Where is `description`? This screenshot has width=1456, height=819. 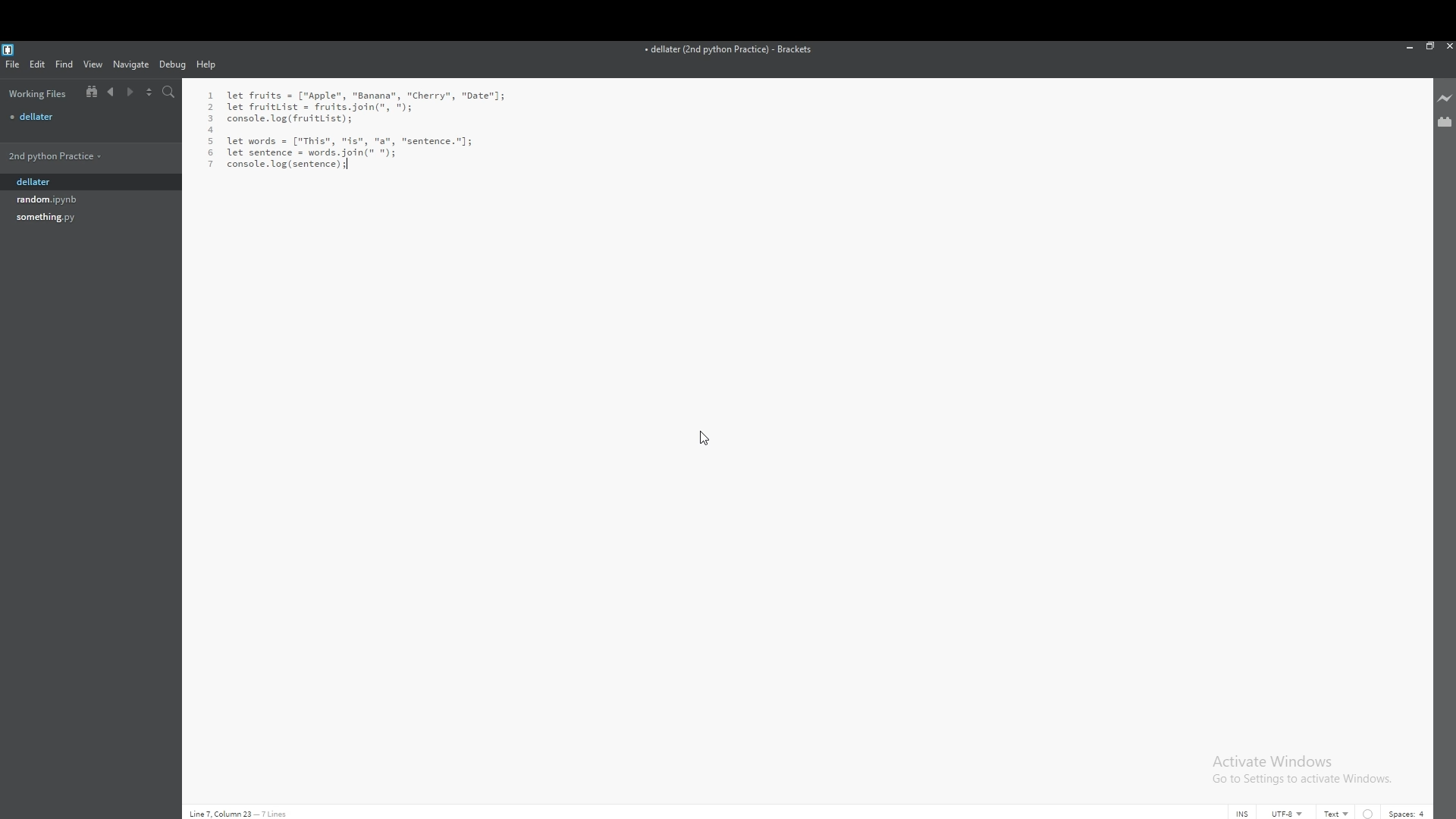
description is located at coordinates (239, 814).